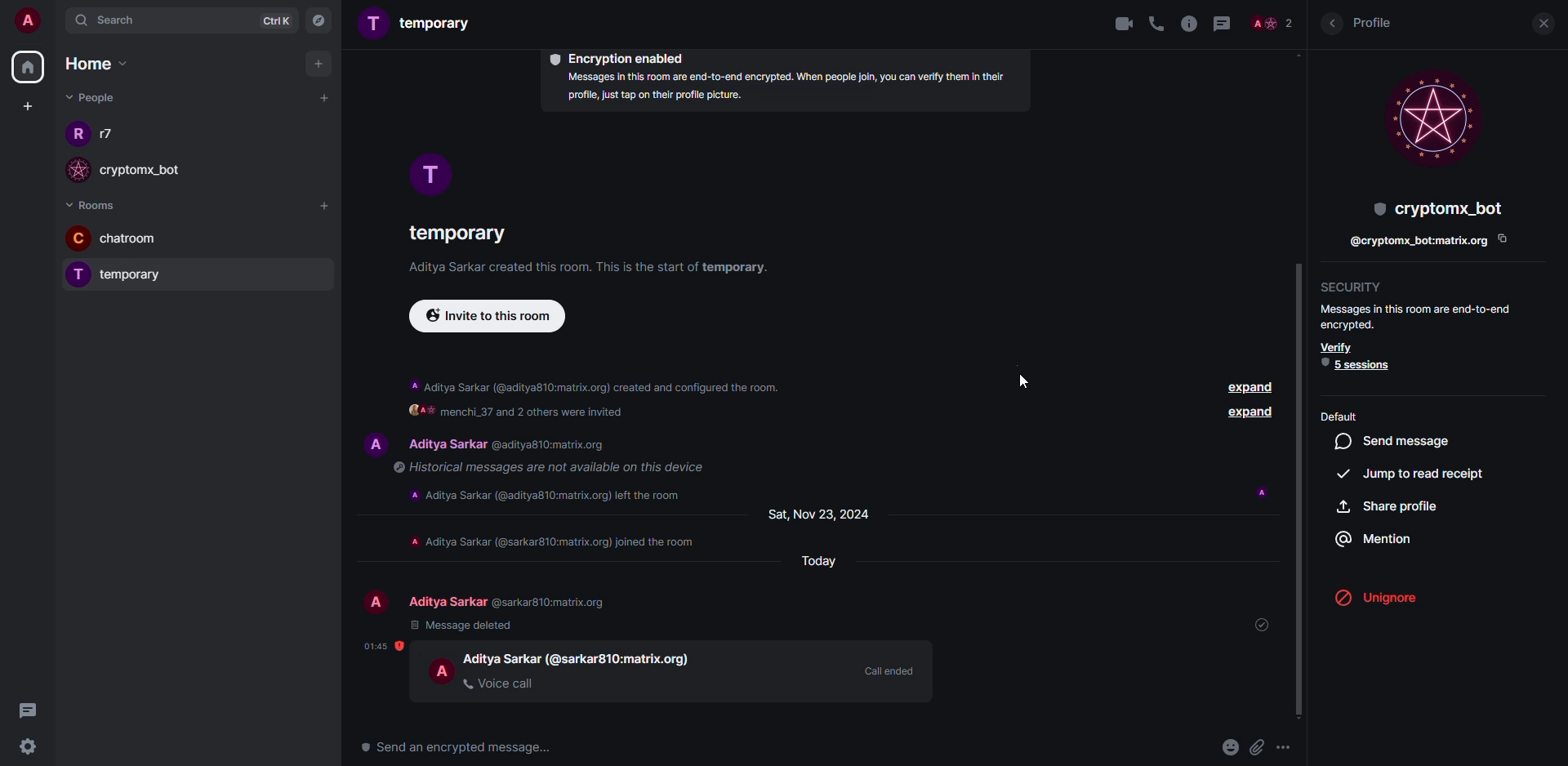 The image size is (1568, 766). Describe the element at coordinates (376, 603) in the screenshot. I see `profile` at that location.